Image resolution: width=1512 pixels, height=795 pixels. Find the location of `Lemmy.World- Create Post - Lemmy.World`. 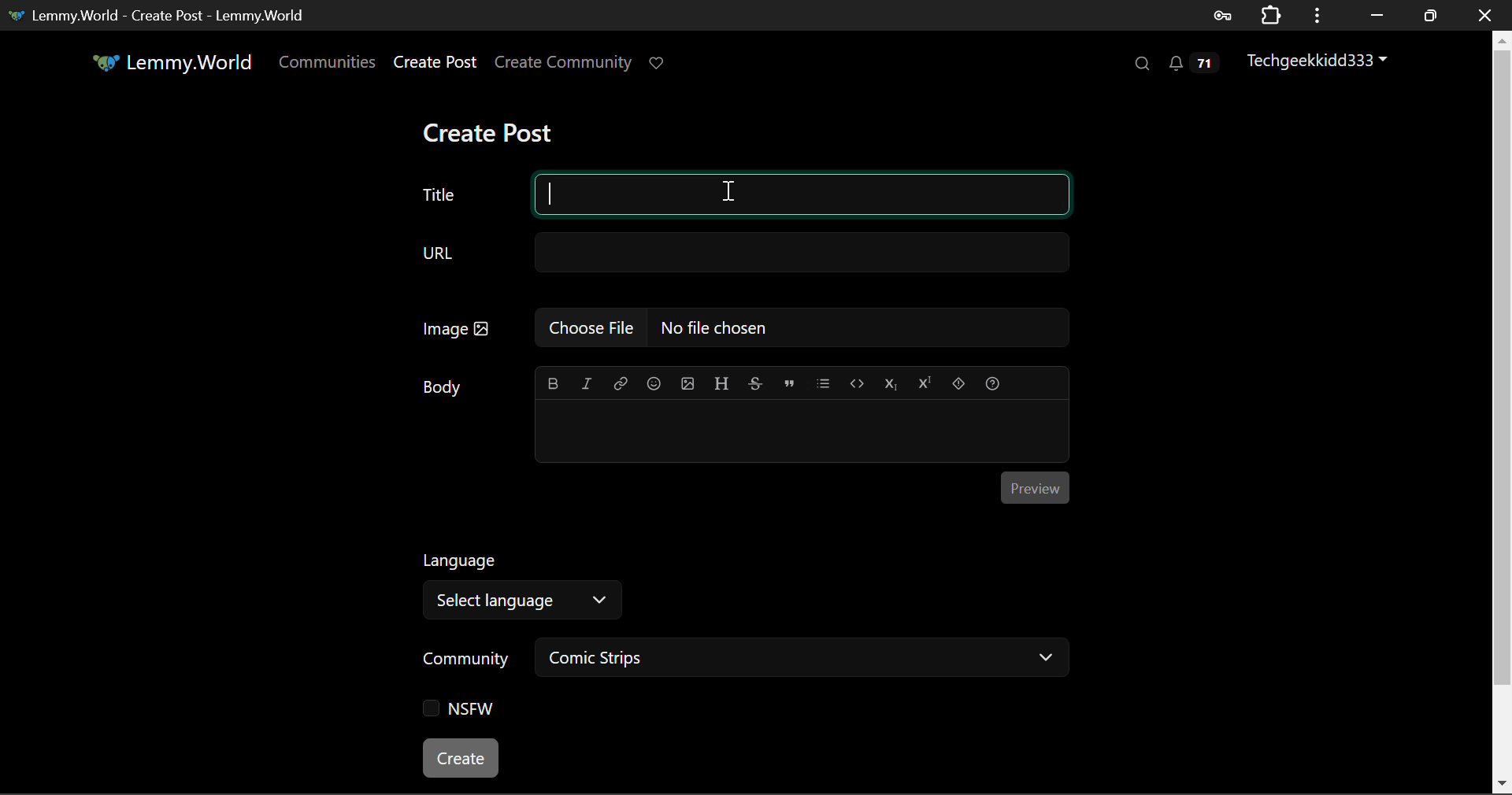

Lemmy.World- Create Post - Lemmy.World is located at coordinates (164, 15).